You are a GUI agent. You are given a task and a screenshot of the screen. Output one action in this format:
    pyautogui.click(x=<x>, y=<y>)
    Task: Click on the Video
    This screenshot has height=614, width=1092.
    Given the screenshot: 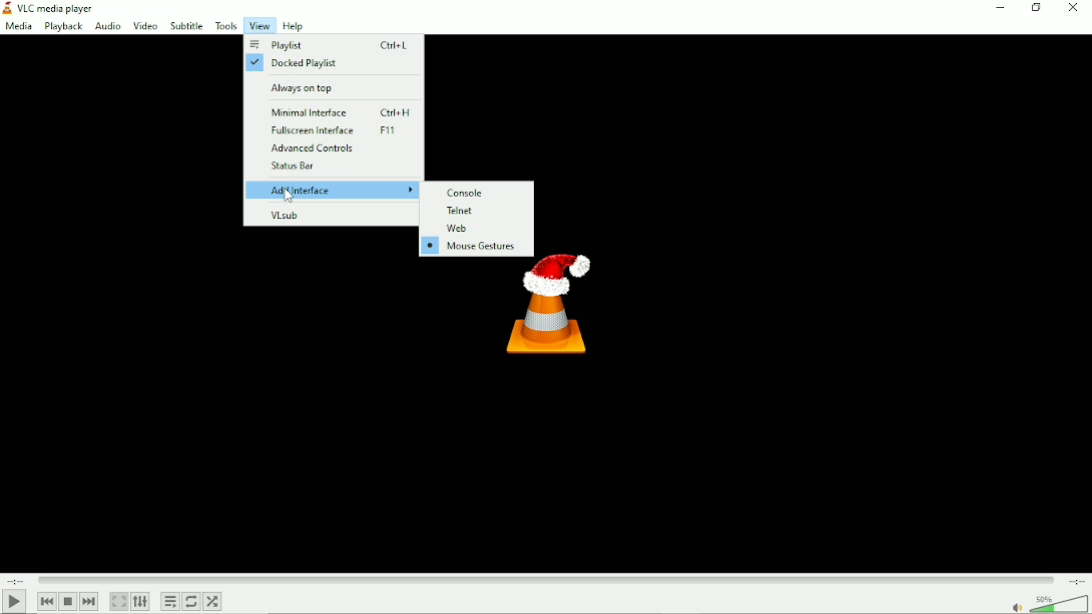 What is the action you would take?
    pyautogui.click(x=144, y=25)
    